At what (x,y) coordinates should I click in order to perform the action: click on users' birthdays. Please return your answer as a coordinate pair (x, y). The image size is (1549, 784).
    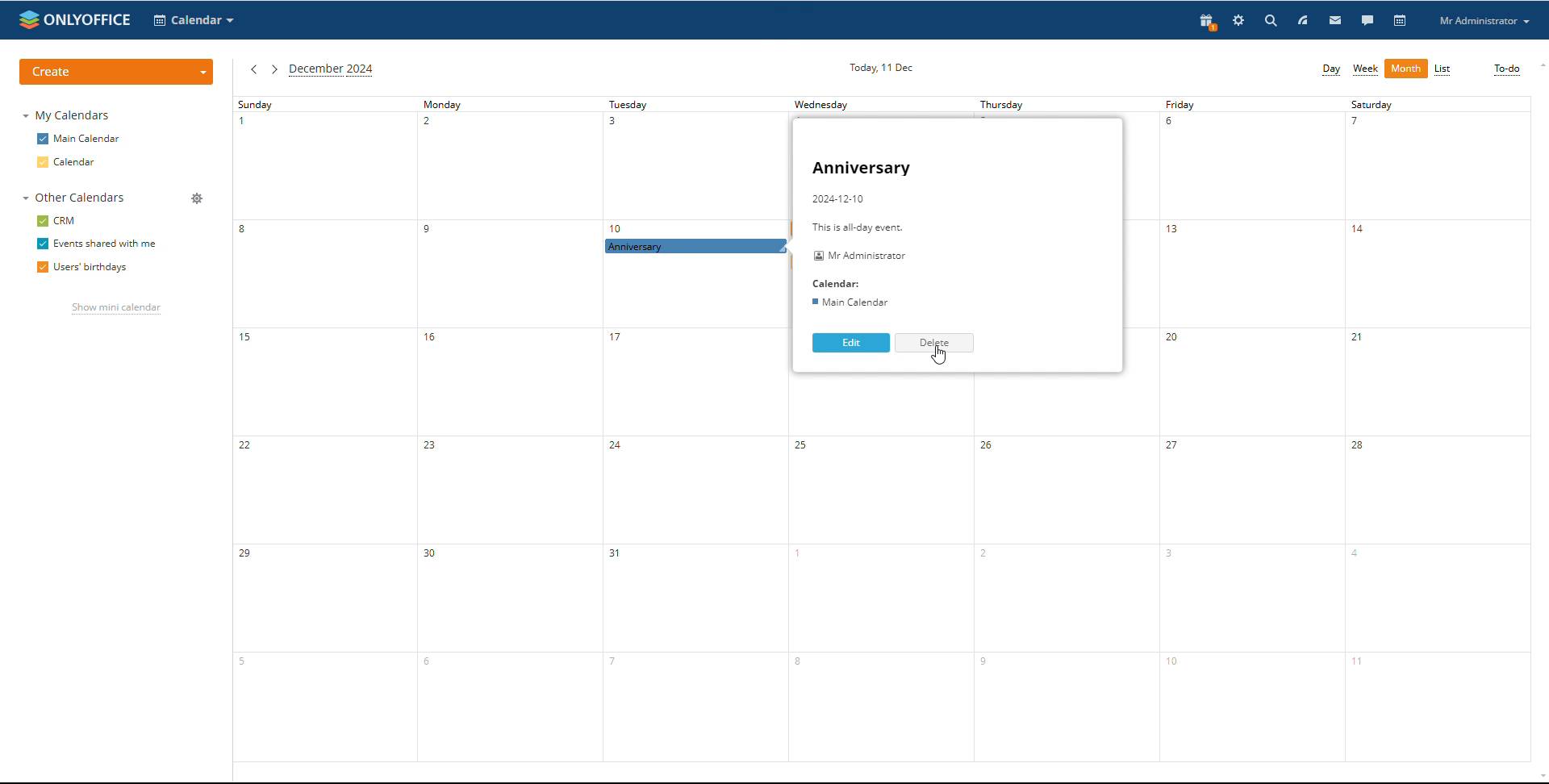
    Looking at the image, I should click on (83, 269).